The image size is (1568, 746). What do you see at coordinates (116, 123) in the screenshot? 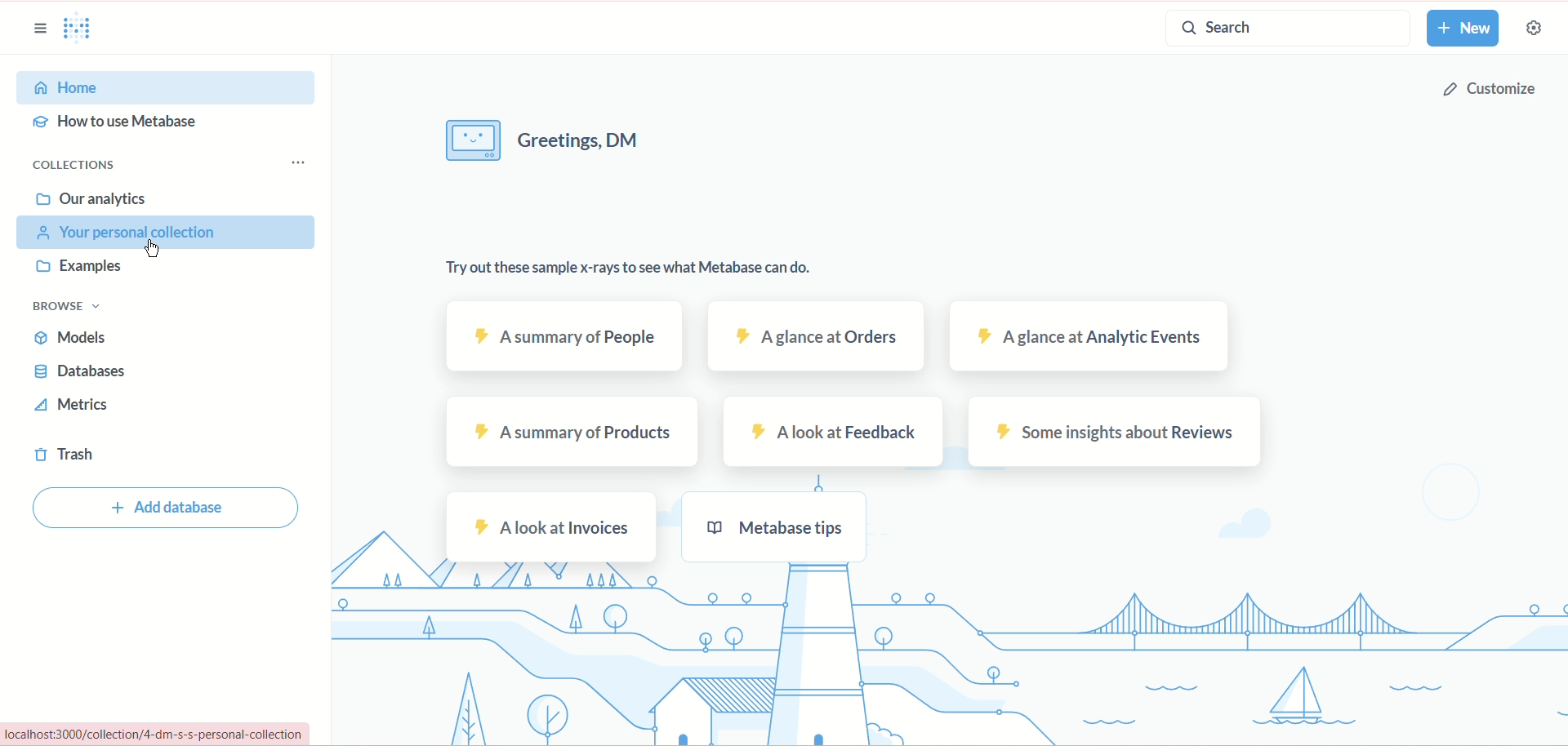
I see `how to use metabase` at bounding box center [116, 123].